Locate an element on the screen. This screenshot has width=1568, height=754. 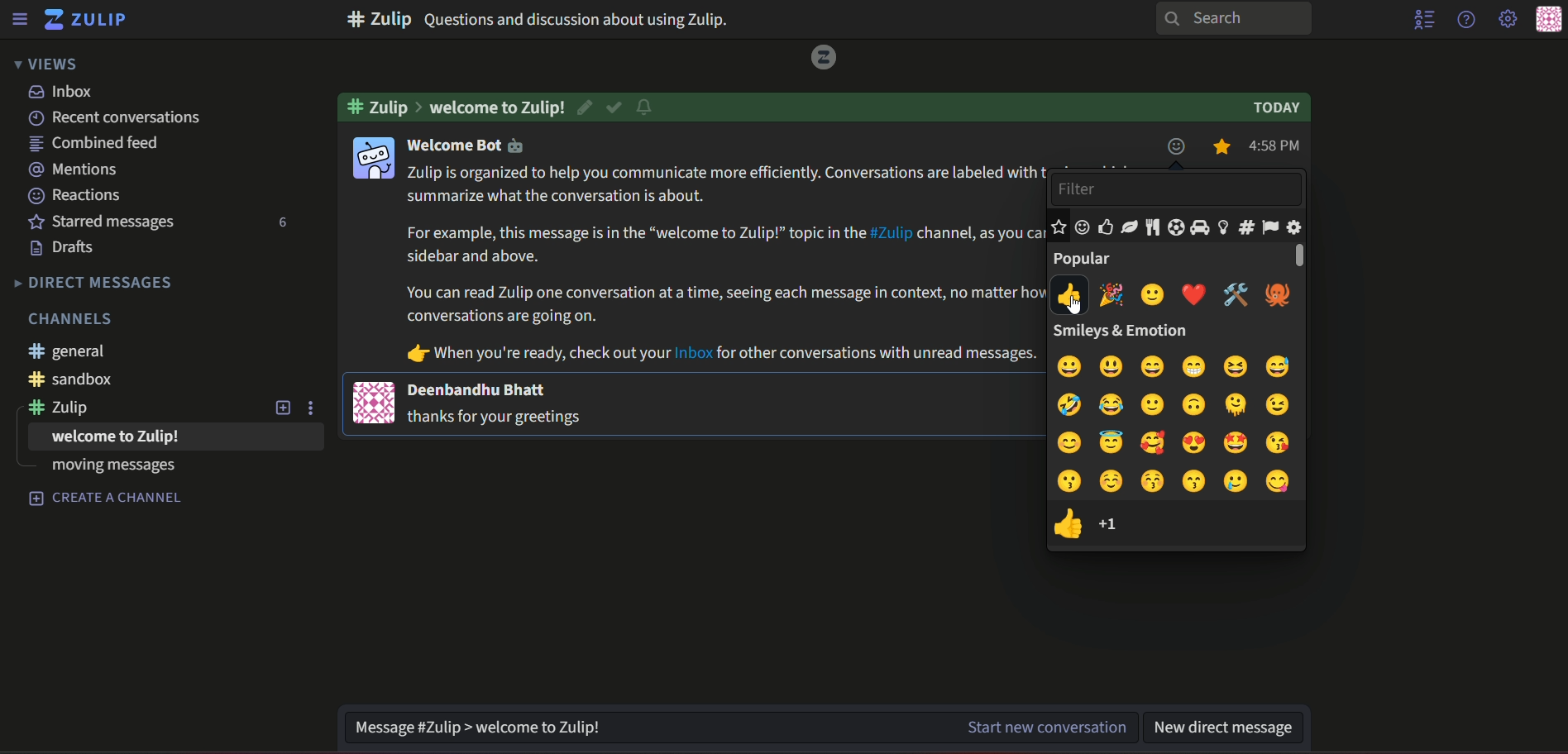
Welcome to zulip is located at coordinates (116, 437).